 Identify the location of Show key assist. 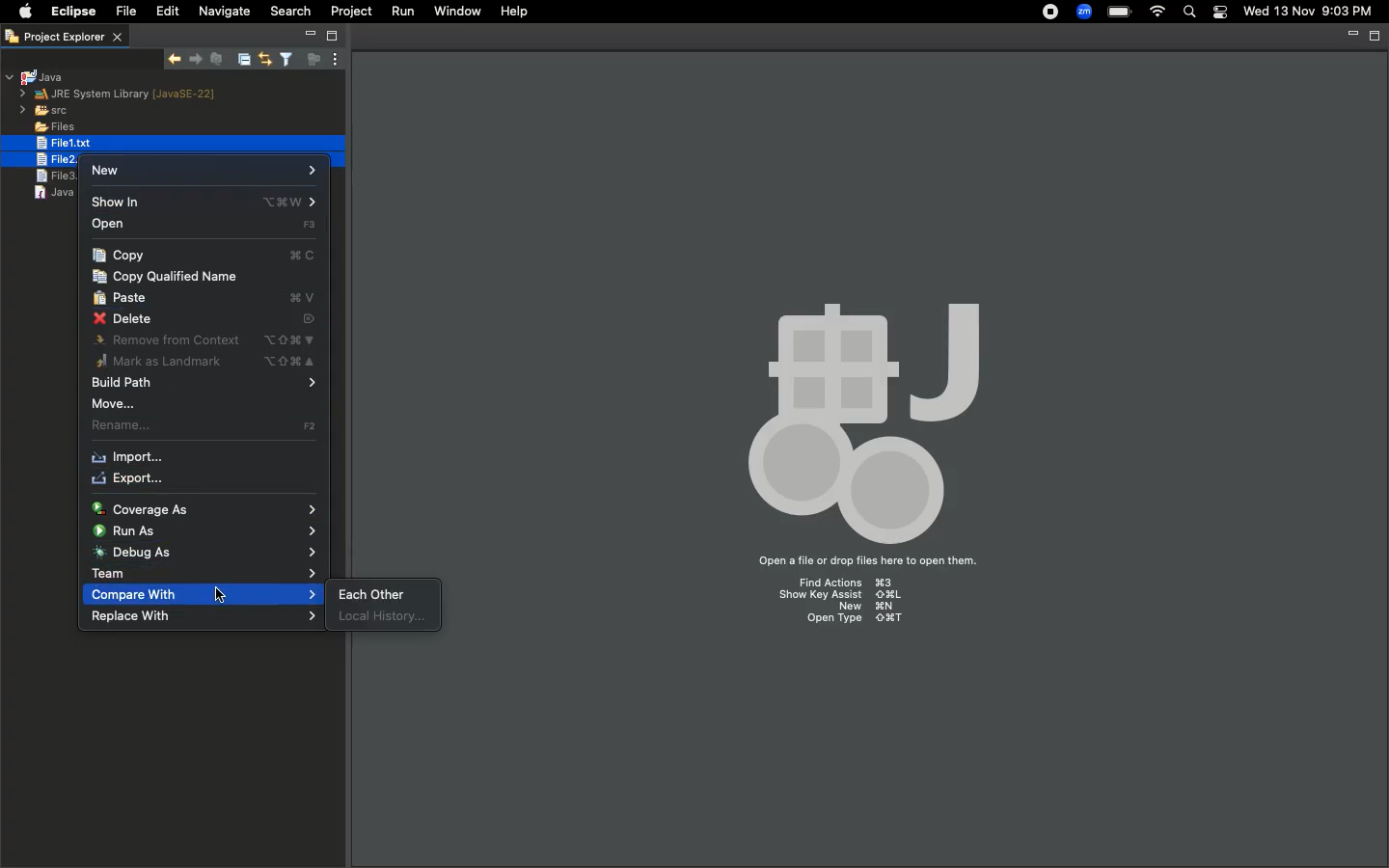
(840, 596).